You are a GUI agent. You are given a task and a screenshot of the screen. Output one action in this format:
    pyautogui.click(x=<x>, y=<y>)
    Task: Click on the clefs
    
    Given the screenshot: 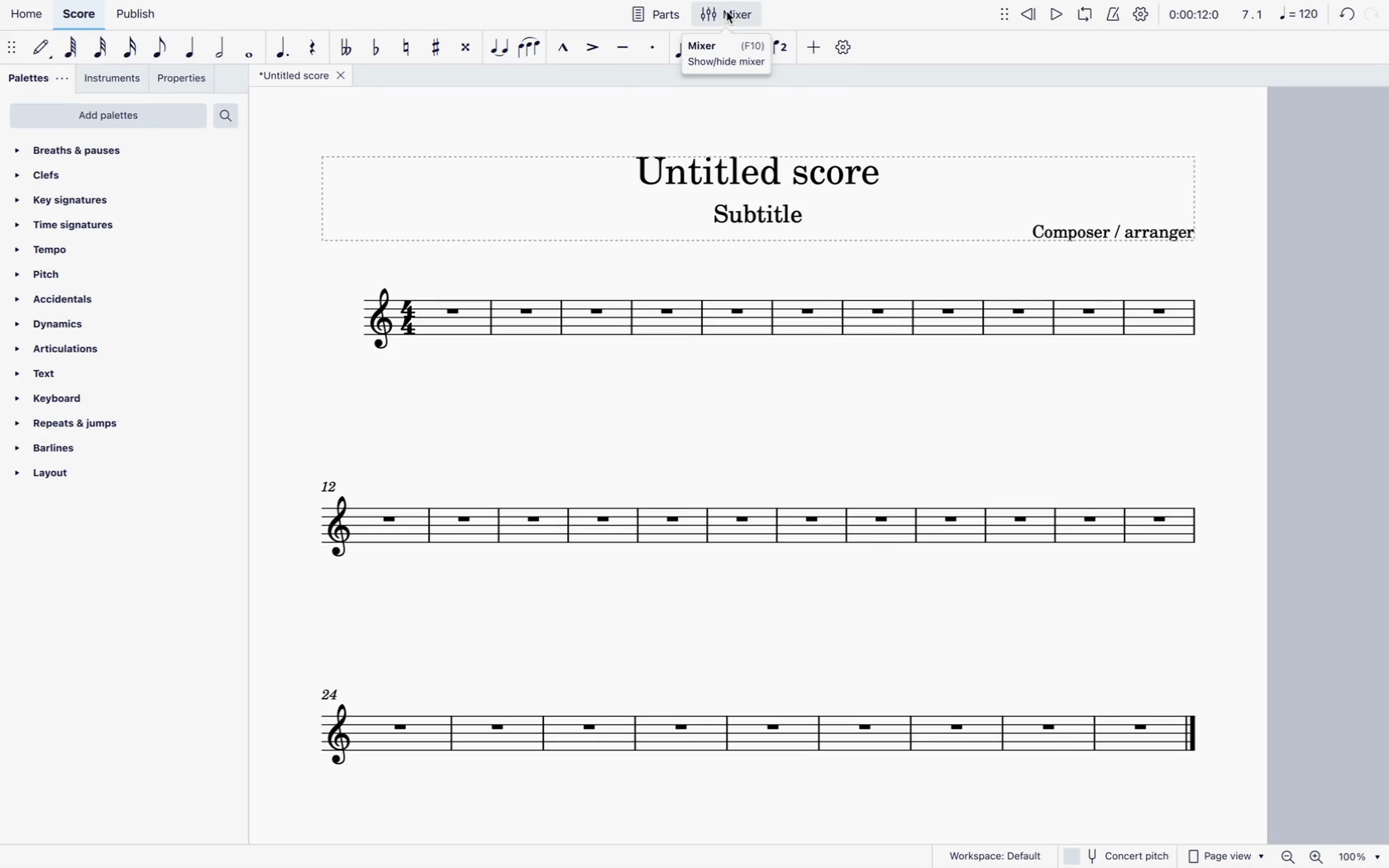 What is the action you would take?
    pyautogui.click(x=114, y=173)
    